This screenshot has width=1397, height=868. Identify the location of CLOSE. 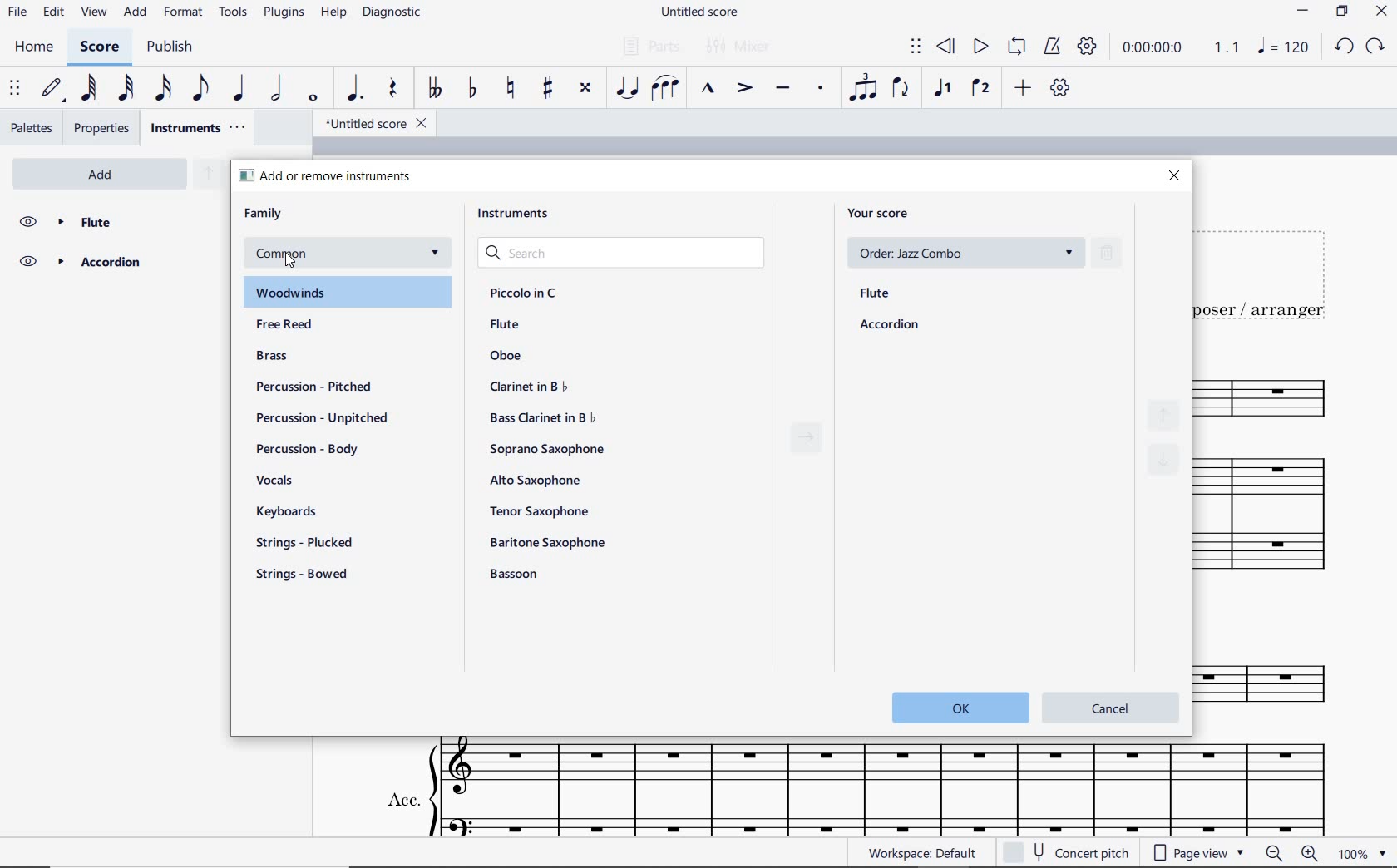
(1380, 11).